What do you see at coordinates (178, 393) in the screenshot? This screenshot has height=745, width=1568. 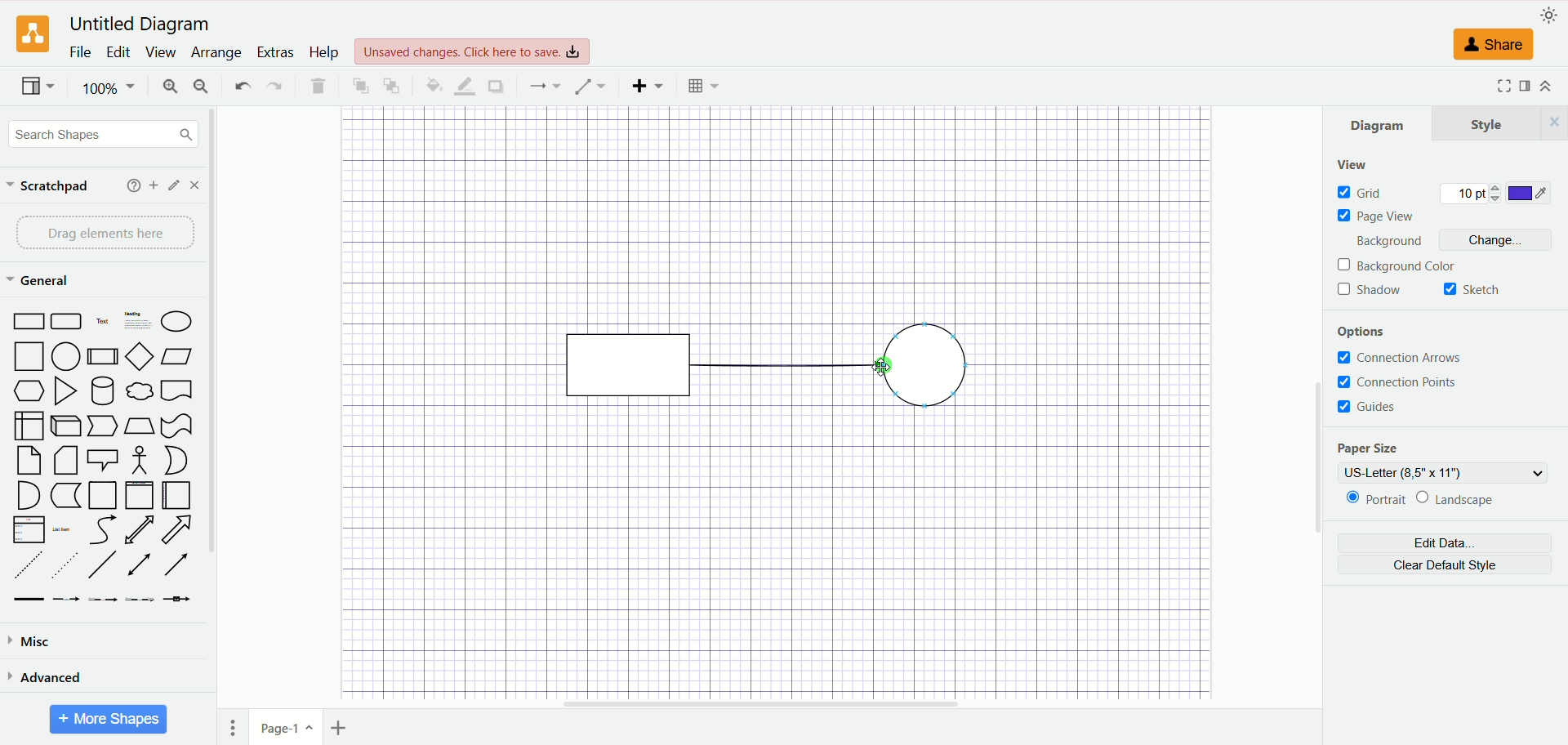 I see `Bookmar` at bounding box center [178, 393].